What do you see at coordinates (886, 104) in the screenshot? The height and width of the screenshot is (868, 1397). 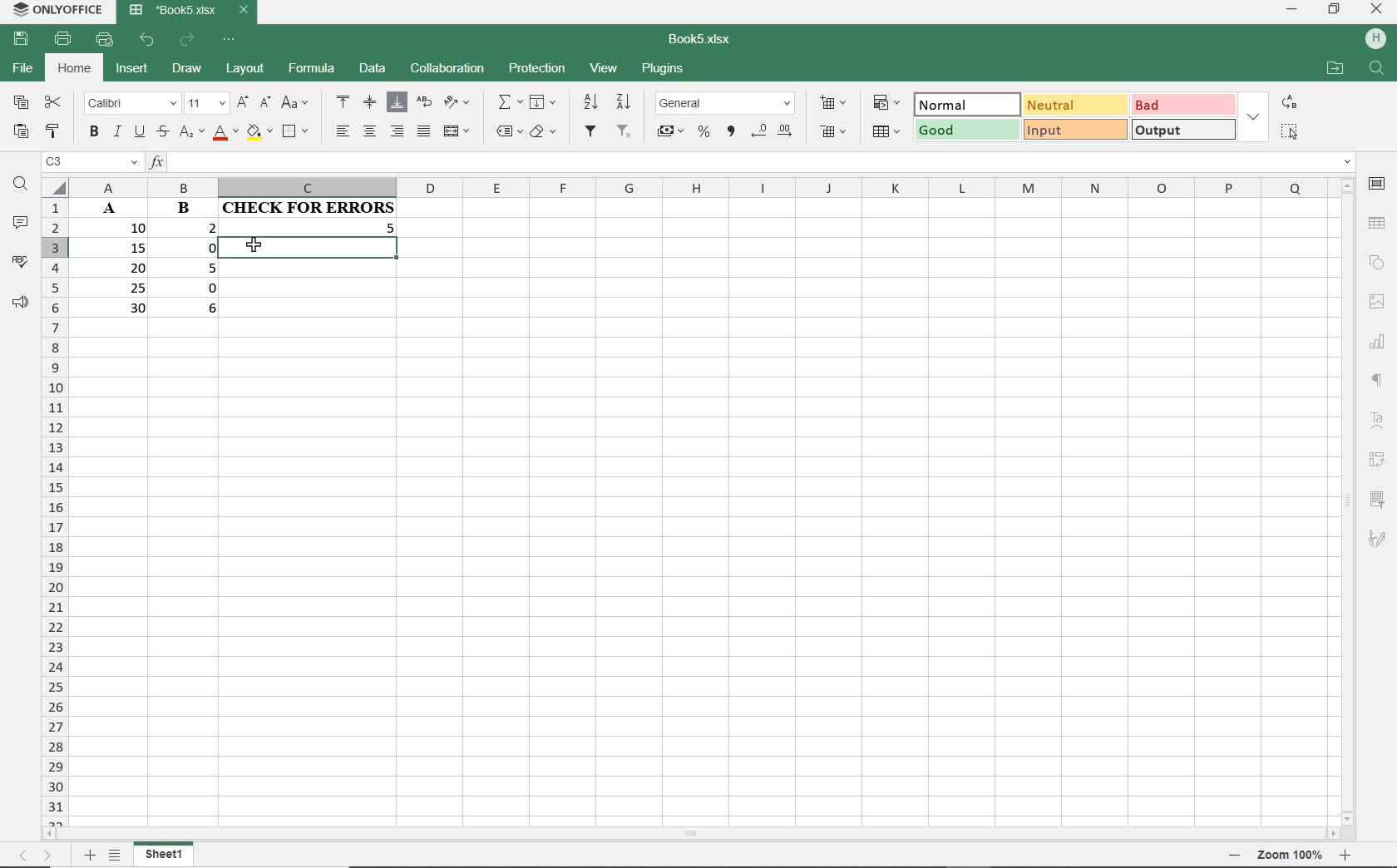 I see `CONDITIONAL FORMATTING` at bounding box center [886, 104].